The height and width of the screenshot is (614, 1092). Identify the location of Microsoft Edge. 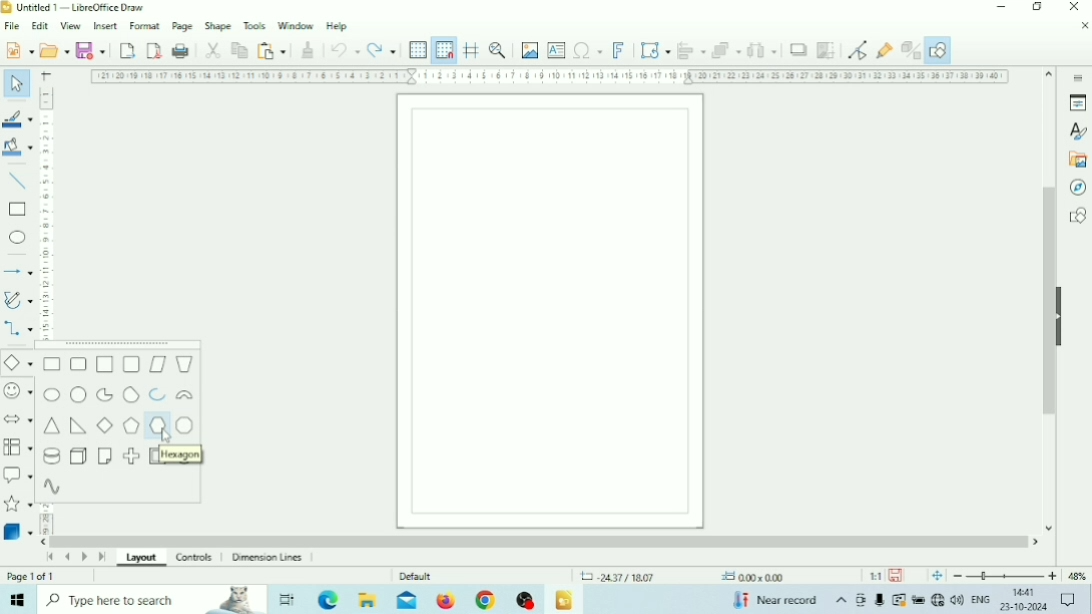
(330, 599).